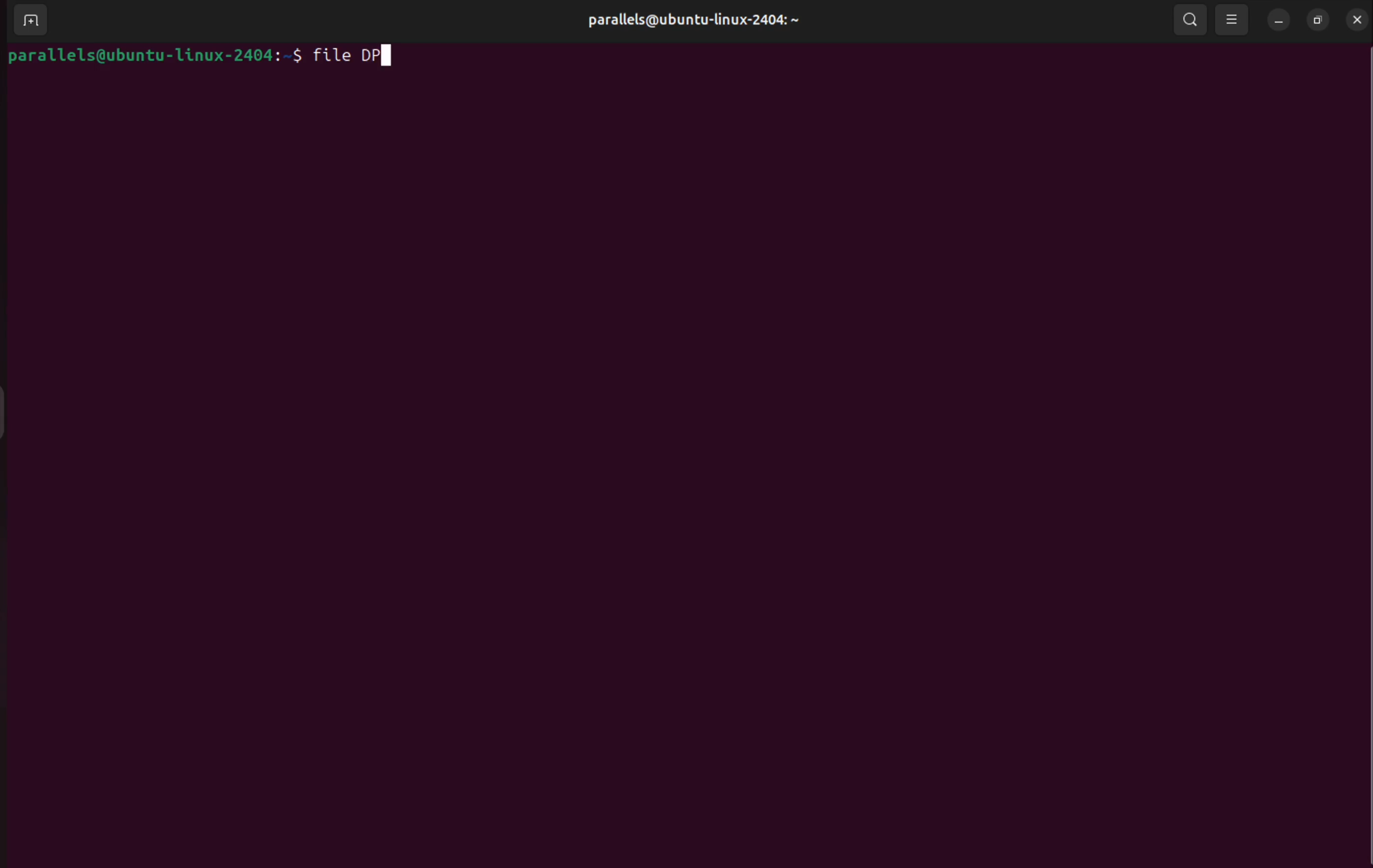 The width and height of the screenshot is (1373, 868). Describe the element at coordinates (156, 56) in the screenshot. I see `bash prompt` at that location.